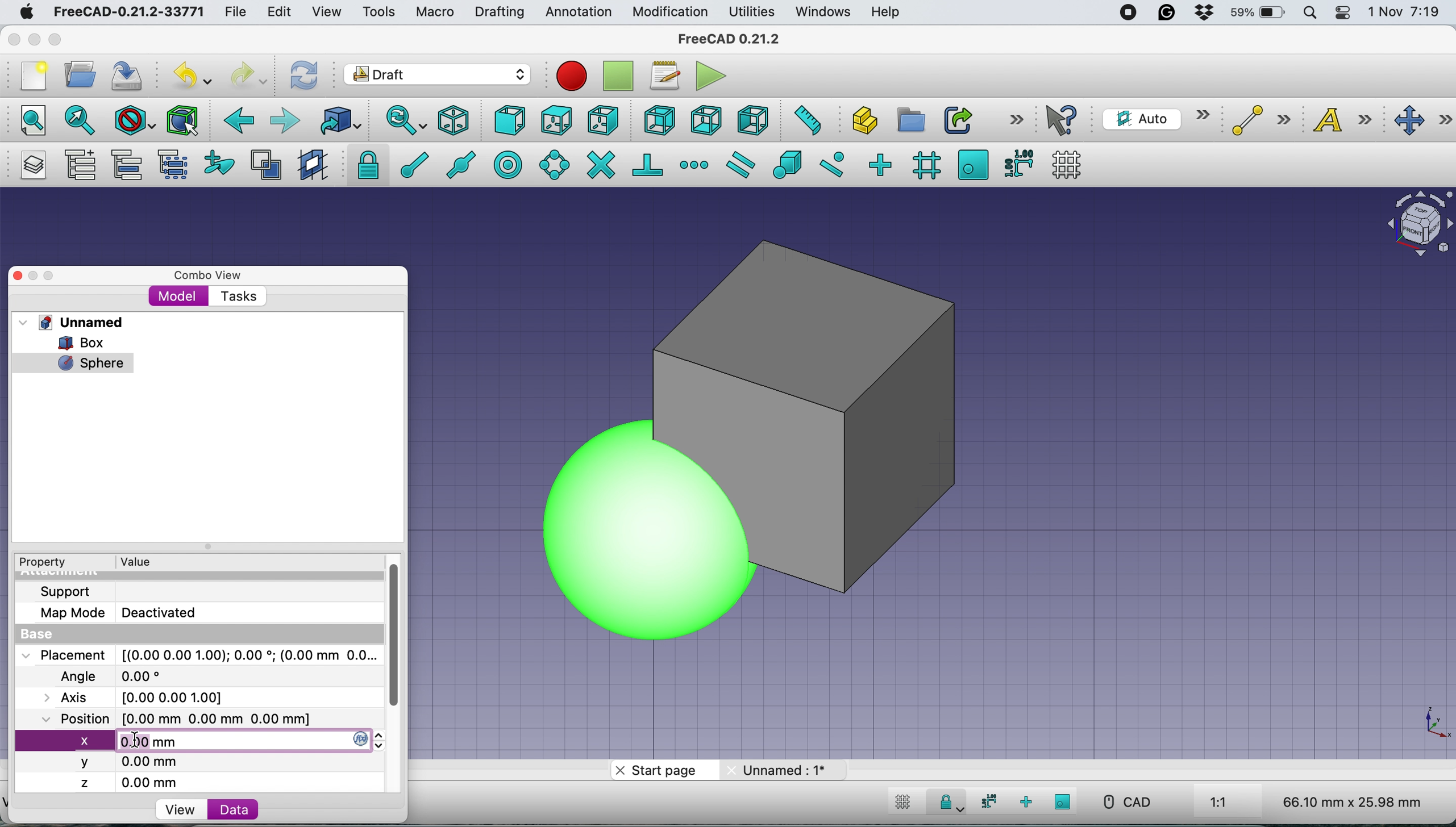 The image size is (1456, 827). What do you see at coordinates (986, 801) in the screenshot?
I see `snap dimensions` at bounding box center [986, 801].